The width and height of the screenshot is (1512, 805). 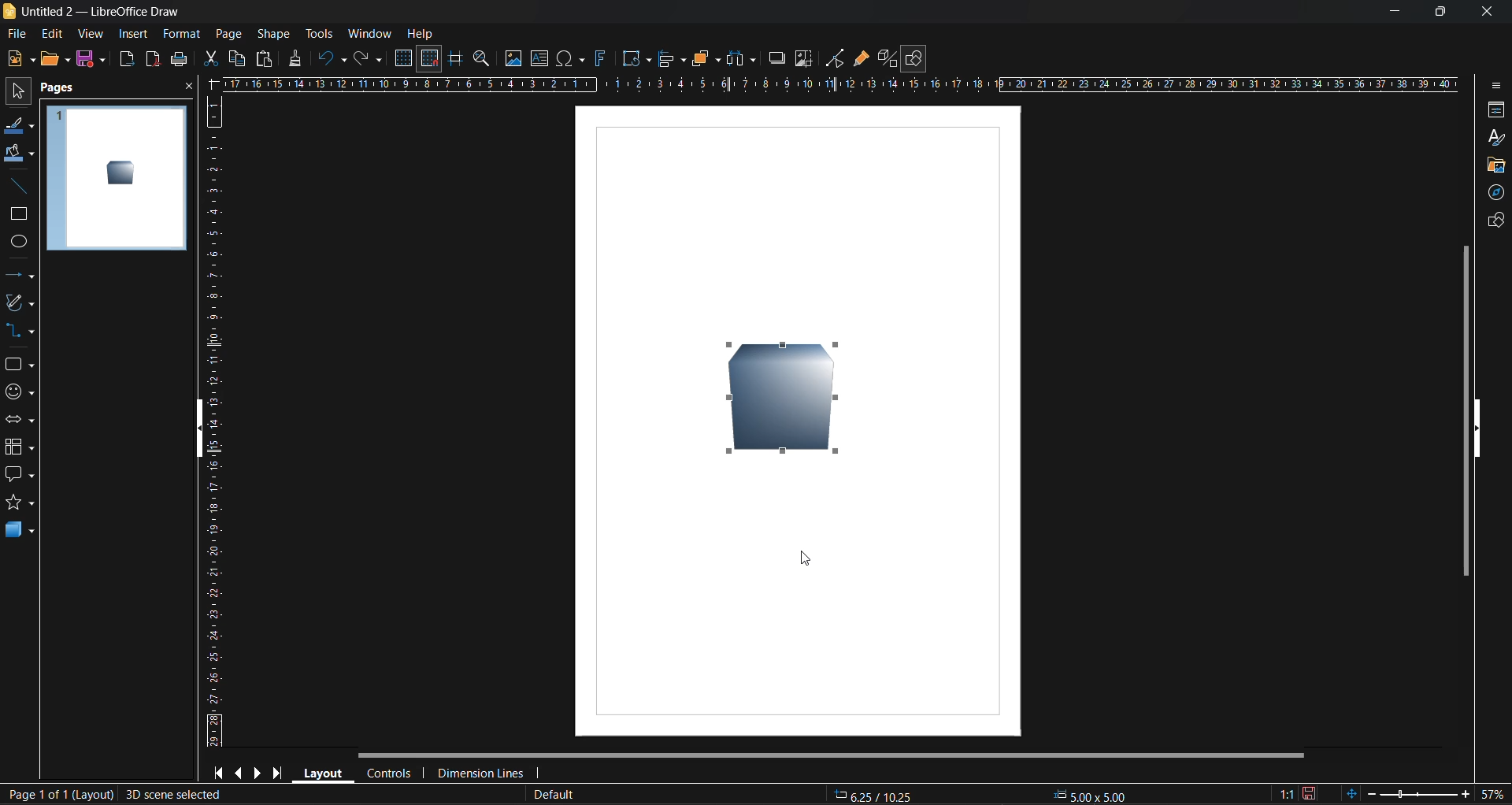 I want to click on select, so click(x=14, y=94).